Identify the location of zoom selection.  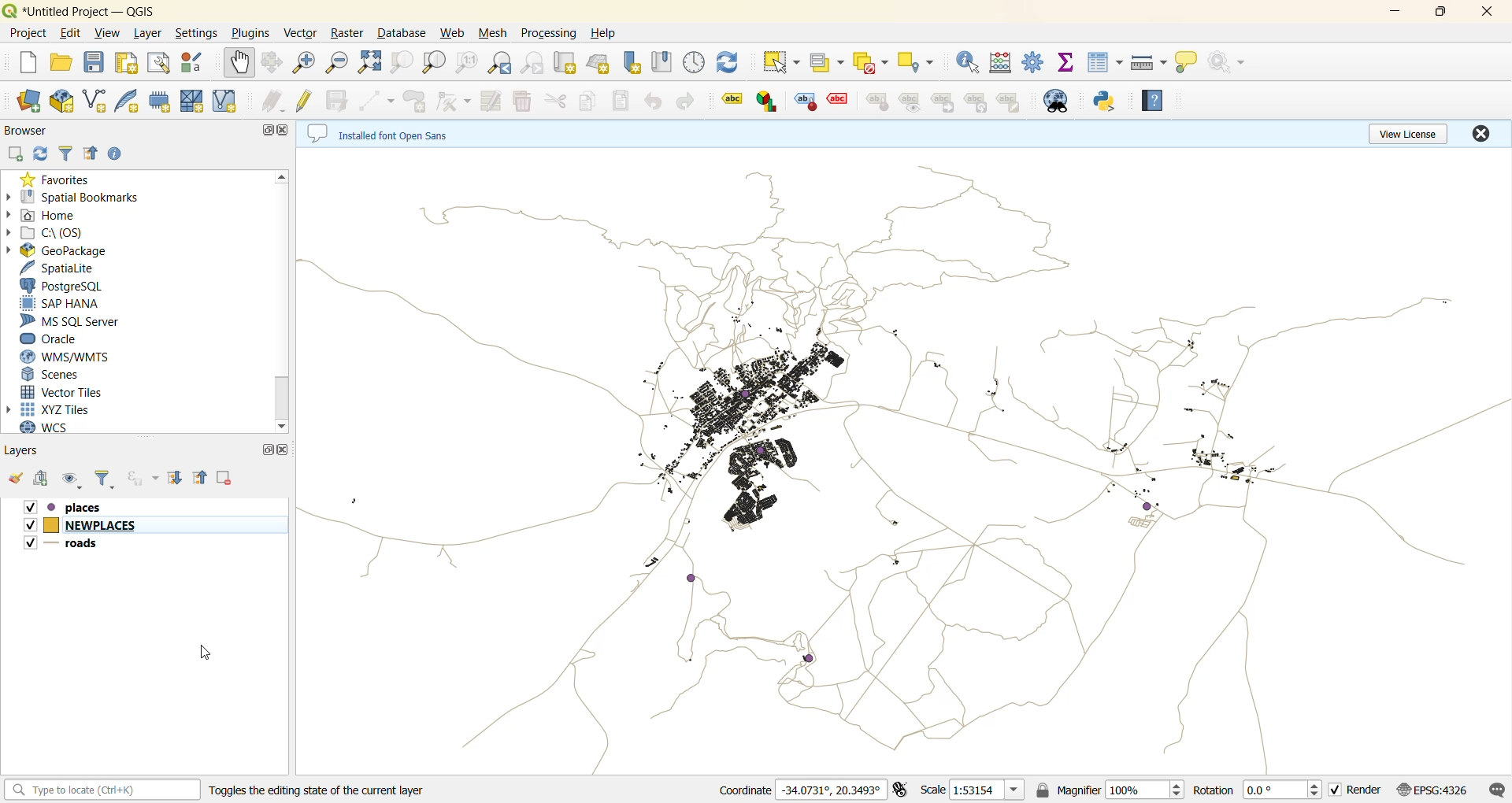
(402, 66).